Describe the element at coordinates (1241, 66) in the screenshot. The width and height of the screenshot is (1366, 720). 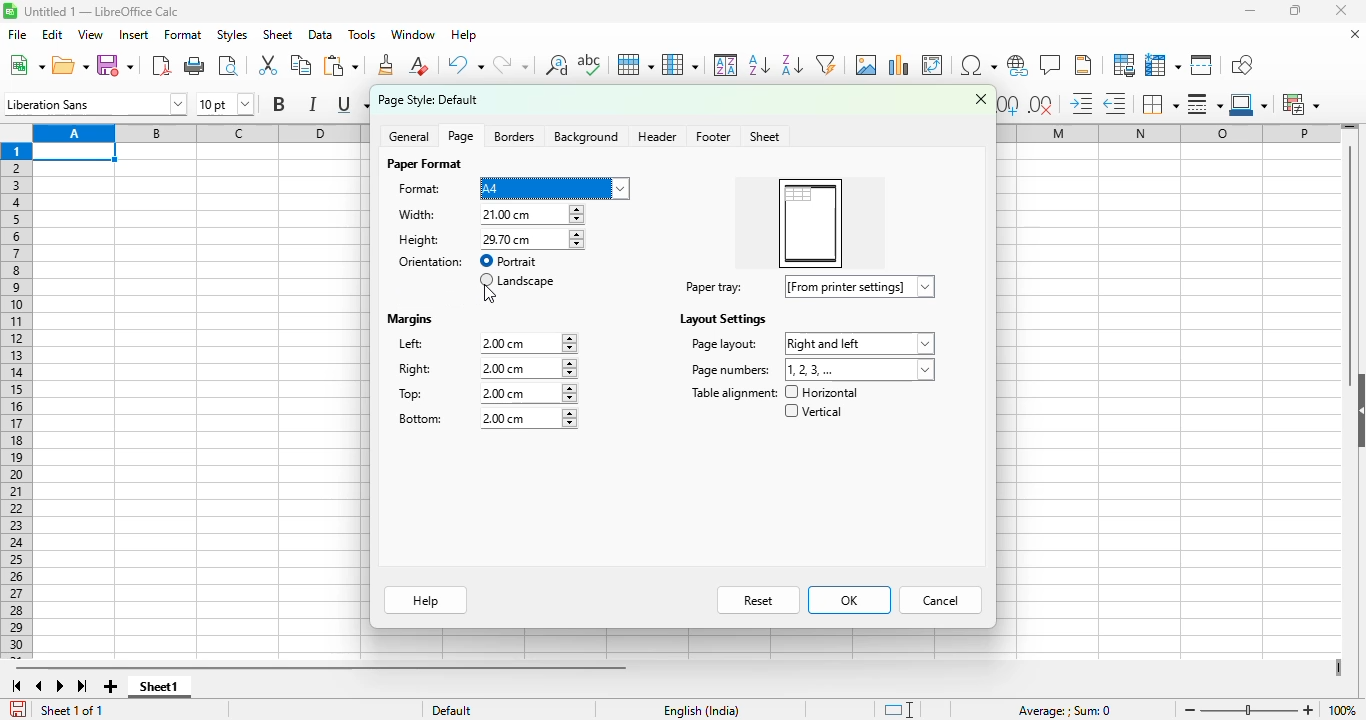
I see `show draw functions` at that location.